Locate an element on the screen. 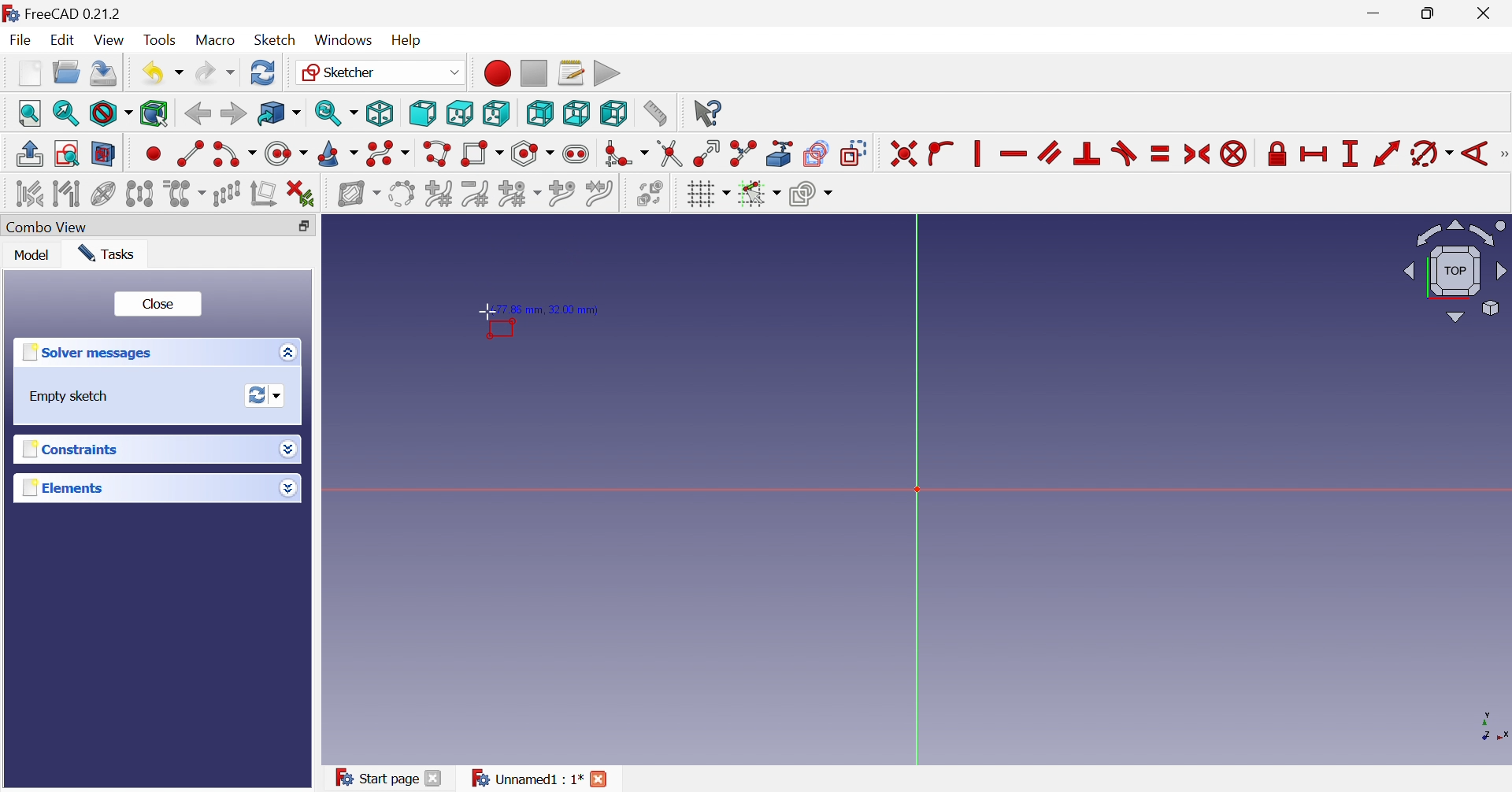  View sketch is located at coordinates (66, 154).